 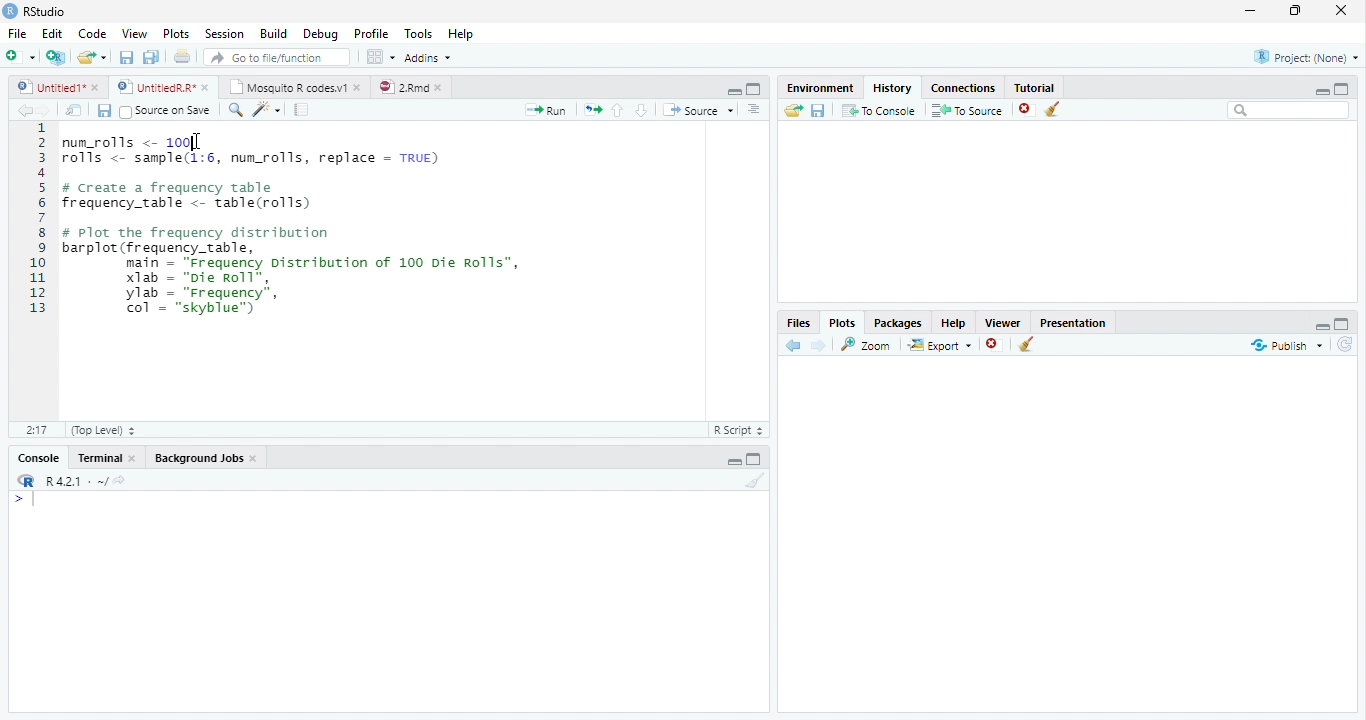 What do you see at coordinates (1343, 11) in the screenshot?
I see `Close` at bounding box center [1343, 11].